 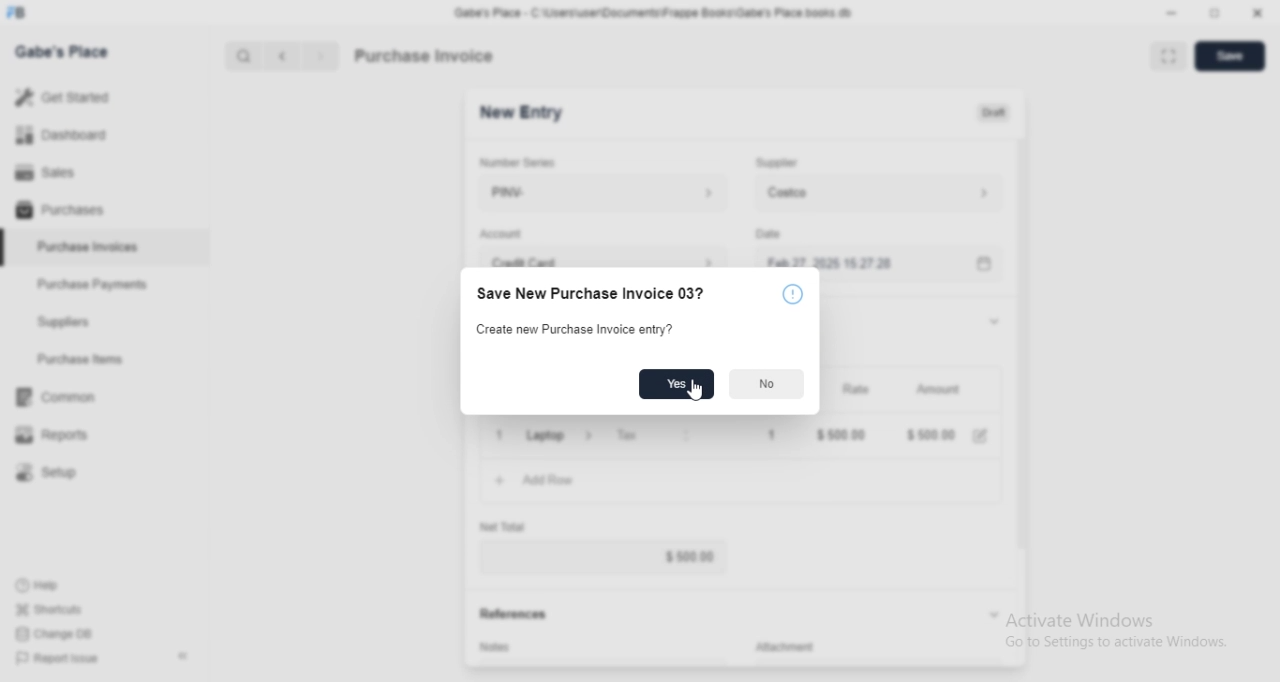 I want to click on Previous button, so click(x=283, y=56).